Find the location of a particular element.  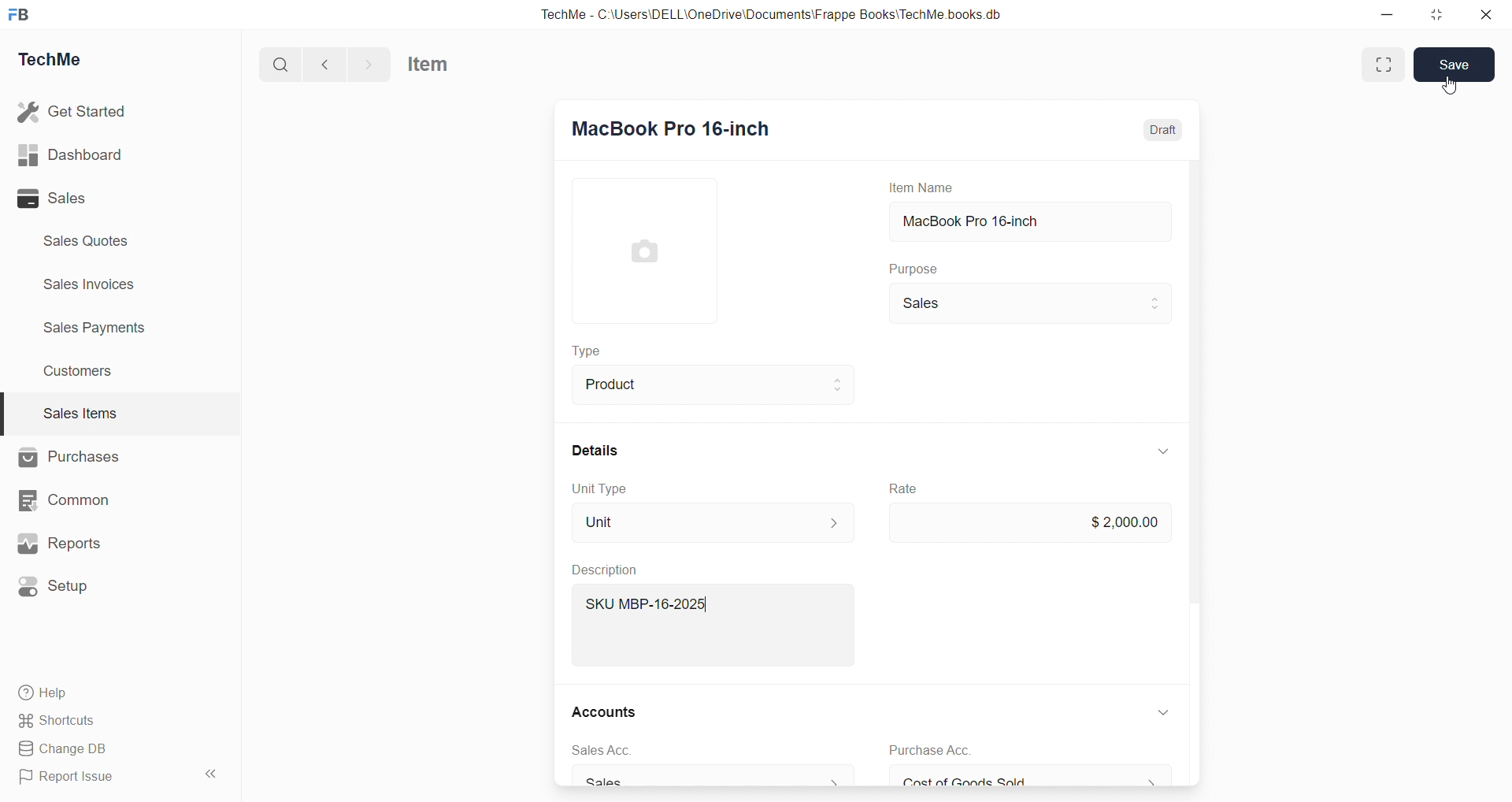

minimize is located at coordinates (1387, 13).